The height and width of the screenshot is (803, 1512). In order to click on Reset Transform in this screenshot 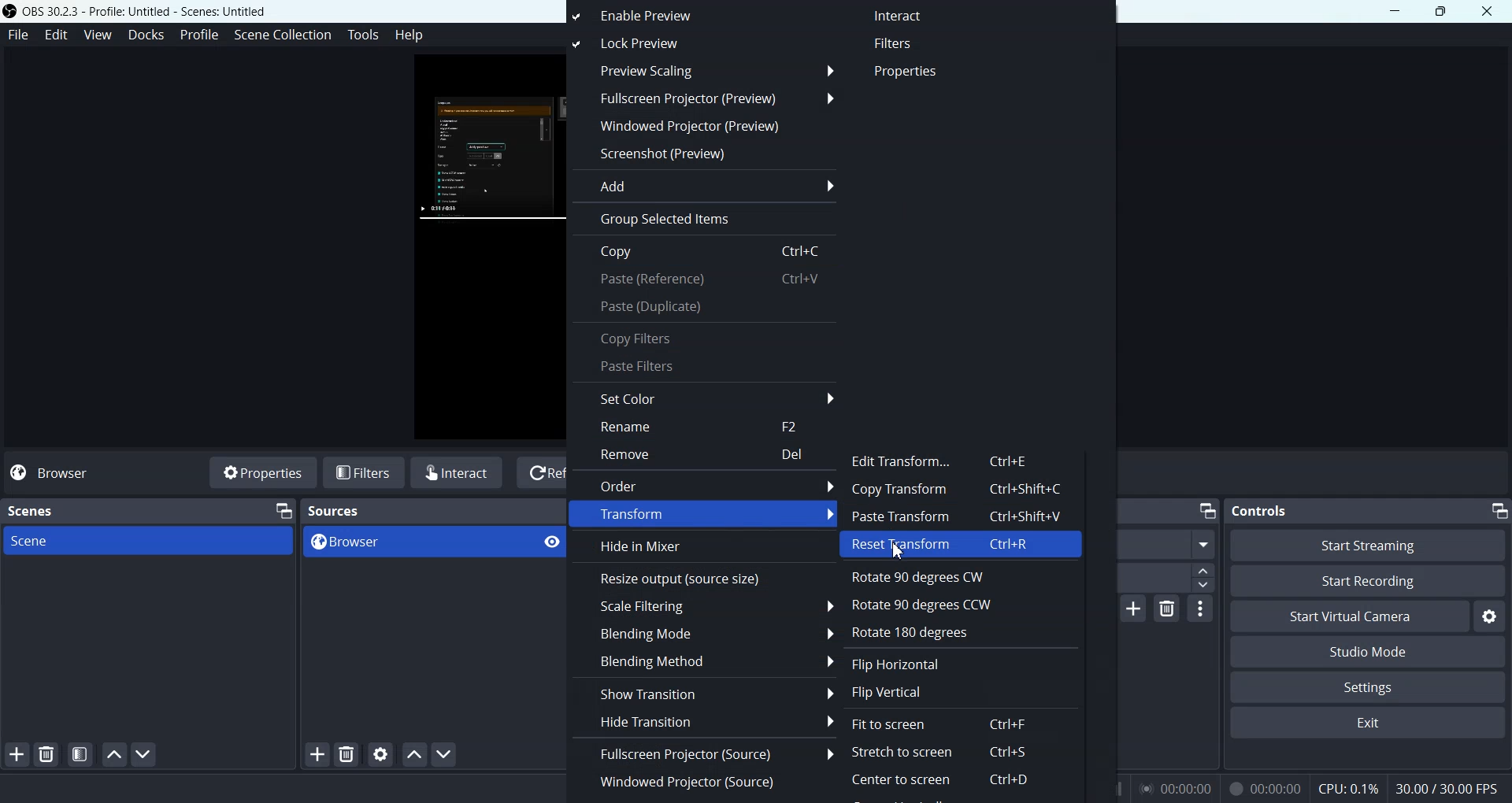, I will do `click(963, 546)`.